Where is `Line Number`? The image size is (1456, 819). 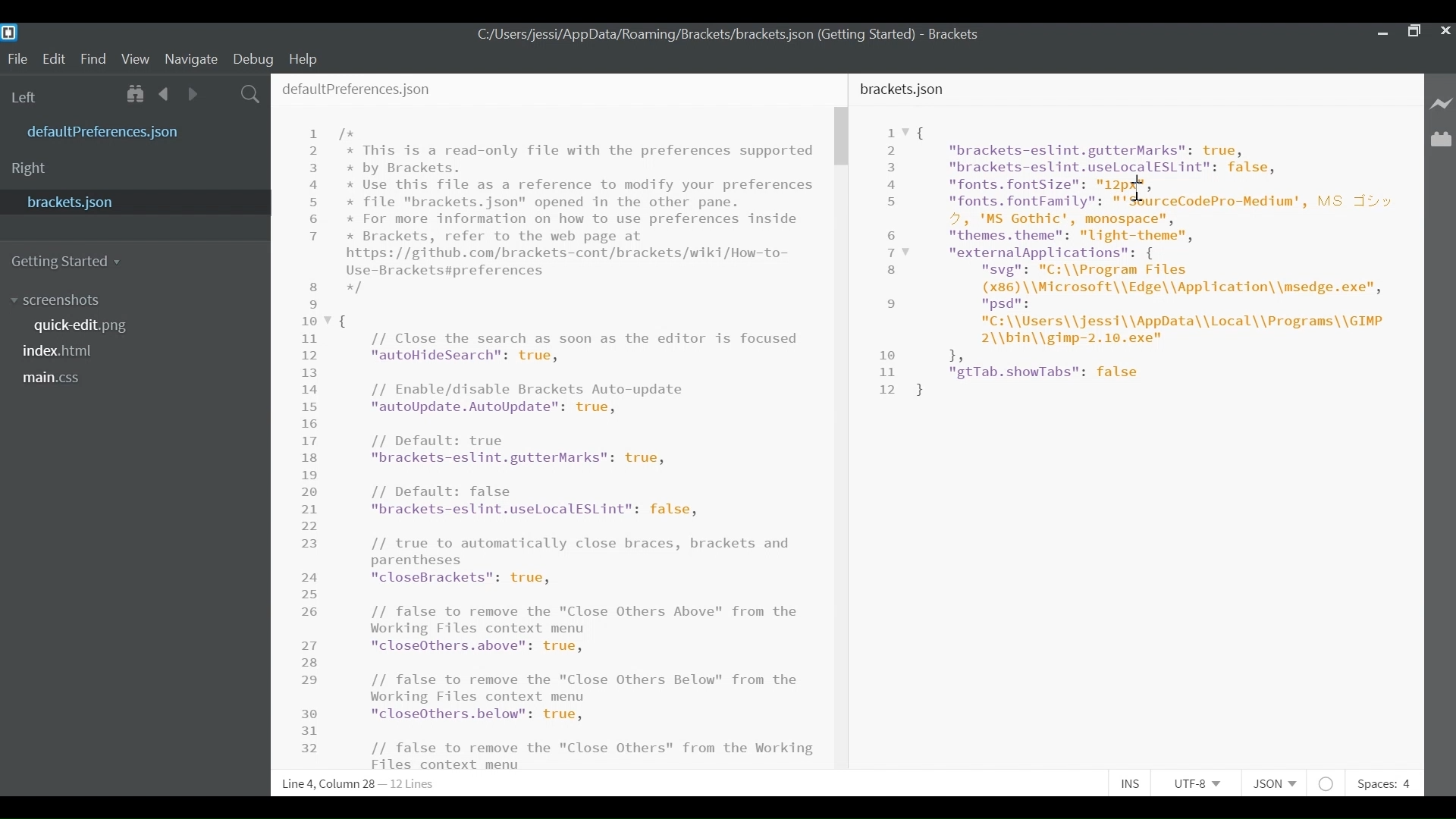
Line Number is located at coordinates (315, 439).